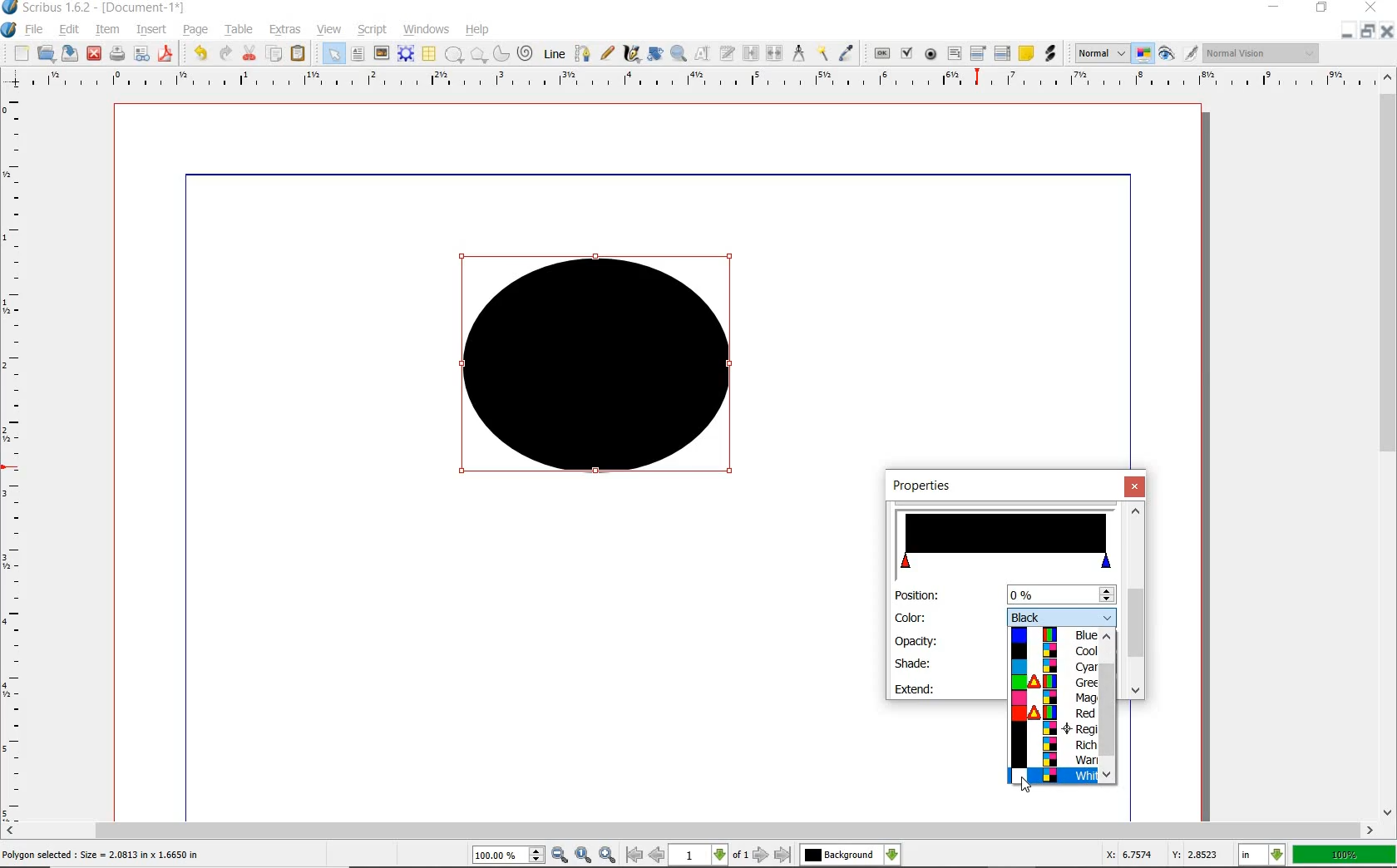  I want to click on ZOOM IN OR OUT, so click(678, 54).